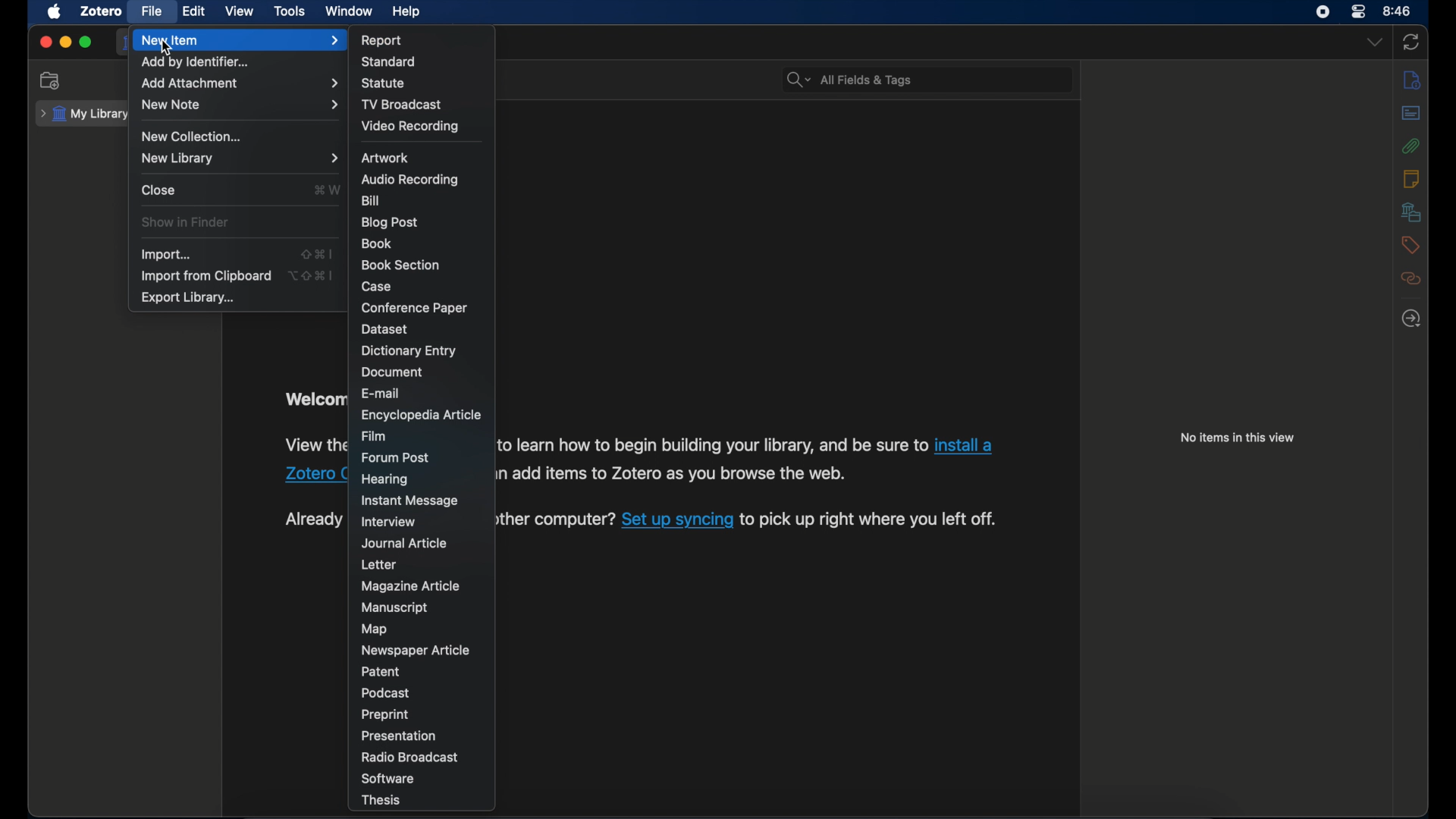 The image size is (1456, 819). Describe the element at coordinates (871, 520) in the screenshot. I see `software information` at that location.